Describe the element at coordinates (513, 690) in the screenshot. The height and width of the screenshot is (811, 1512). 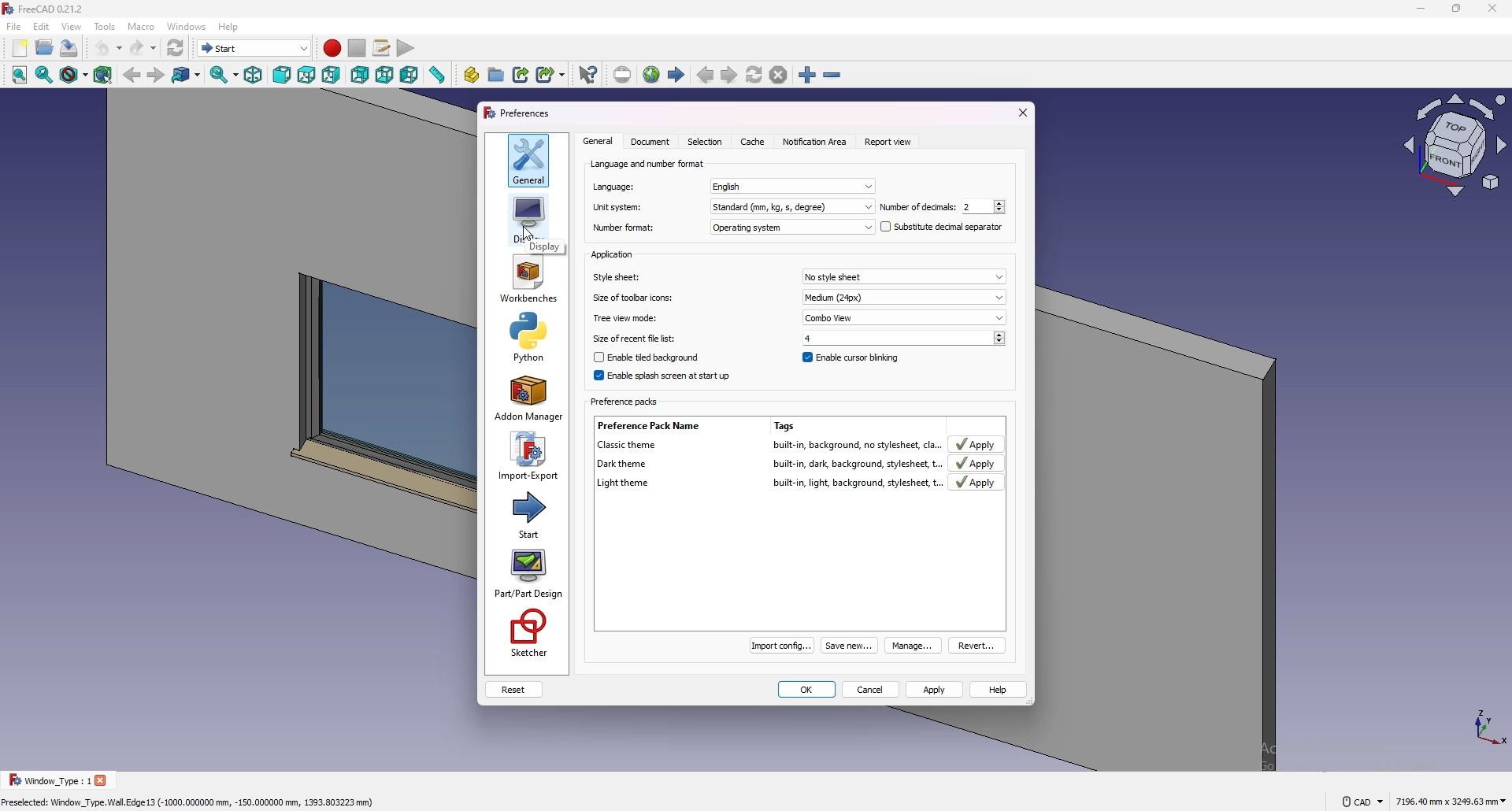
I see `reset` at that location.